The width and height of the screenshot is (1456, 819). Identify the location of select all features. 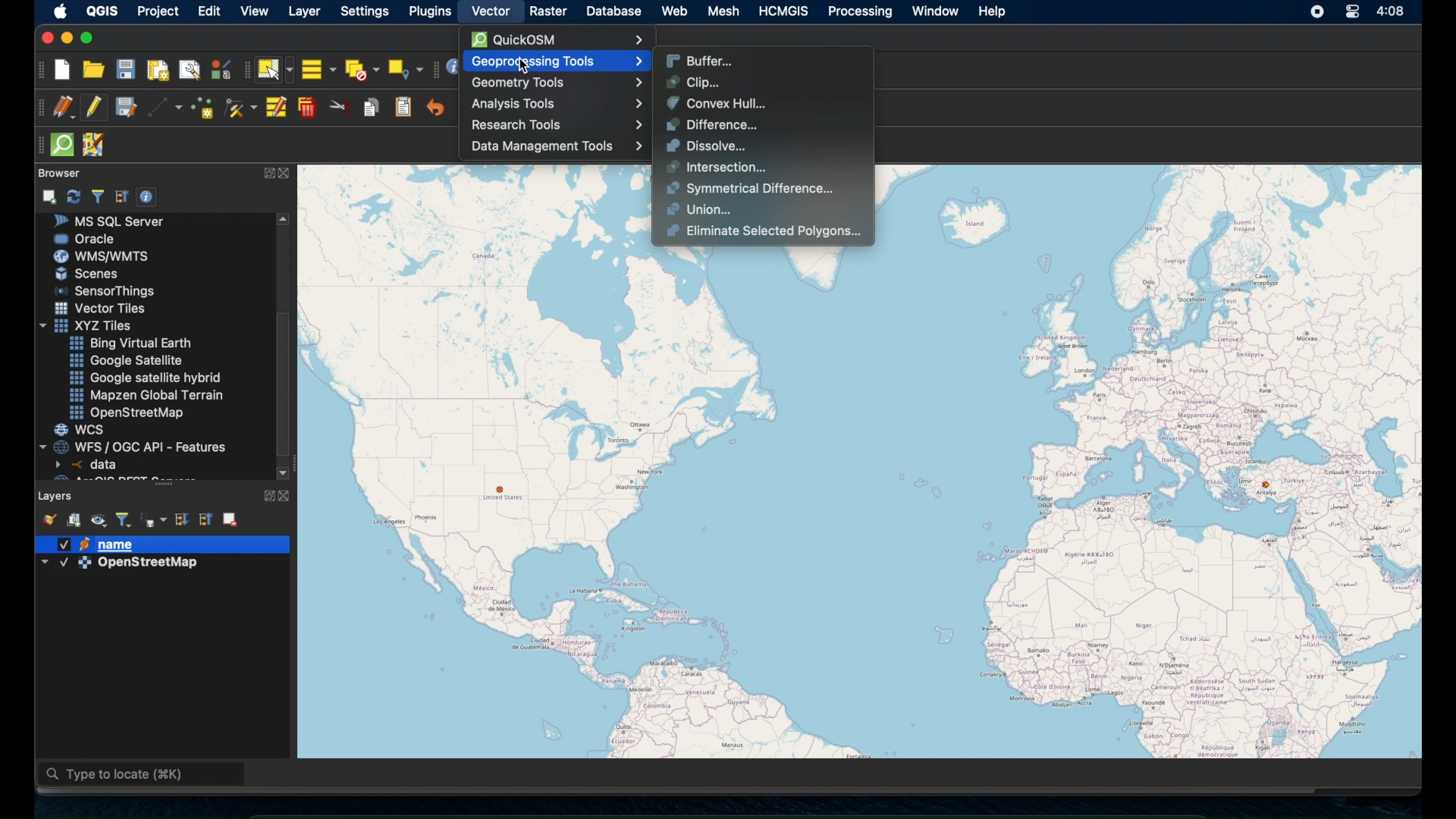
(318, 69).